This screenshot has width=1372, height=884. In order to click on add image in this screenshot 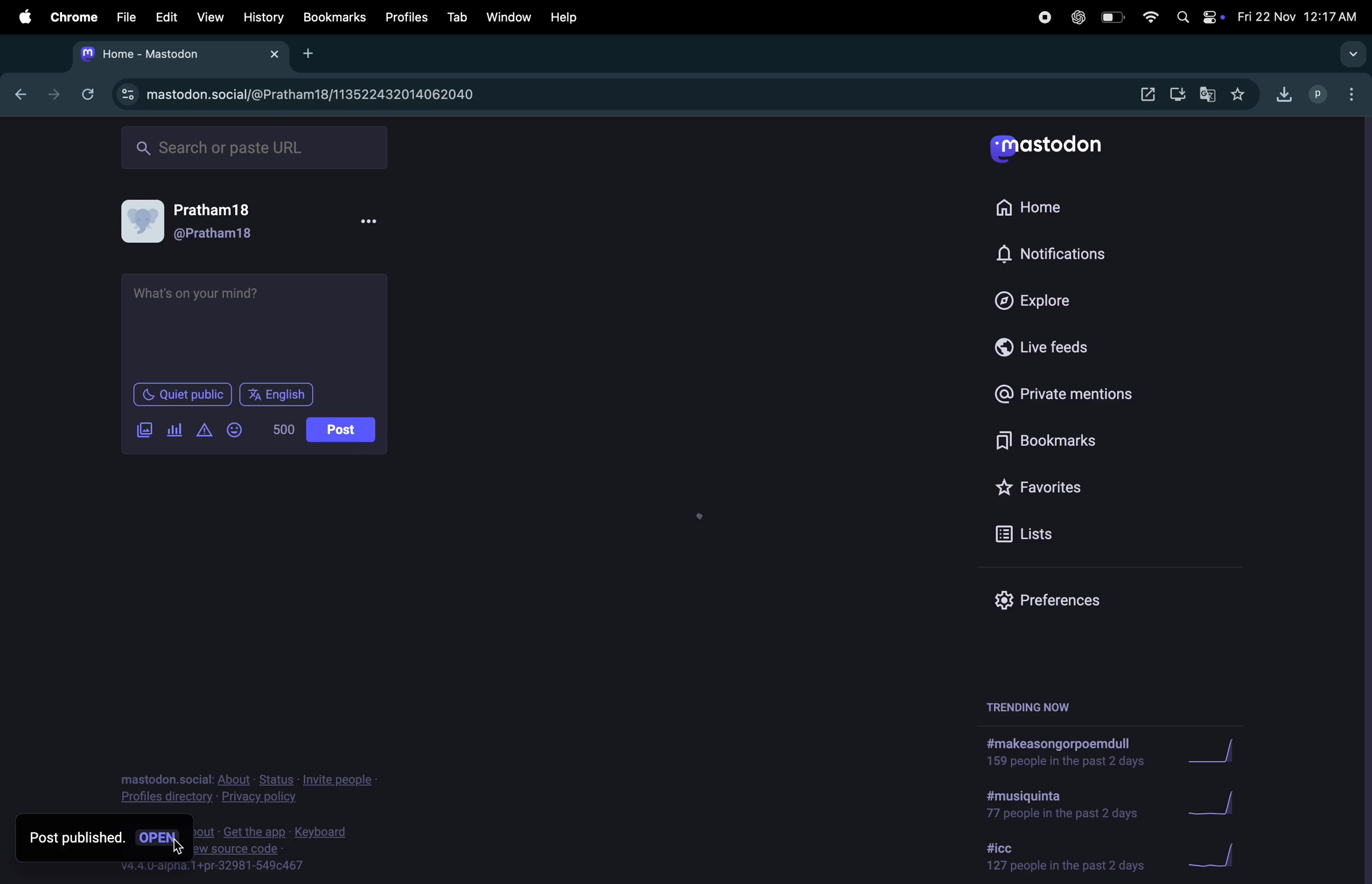, I will do `click(143, 429)`.